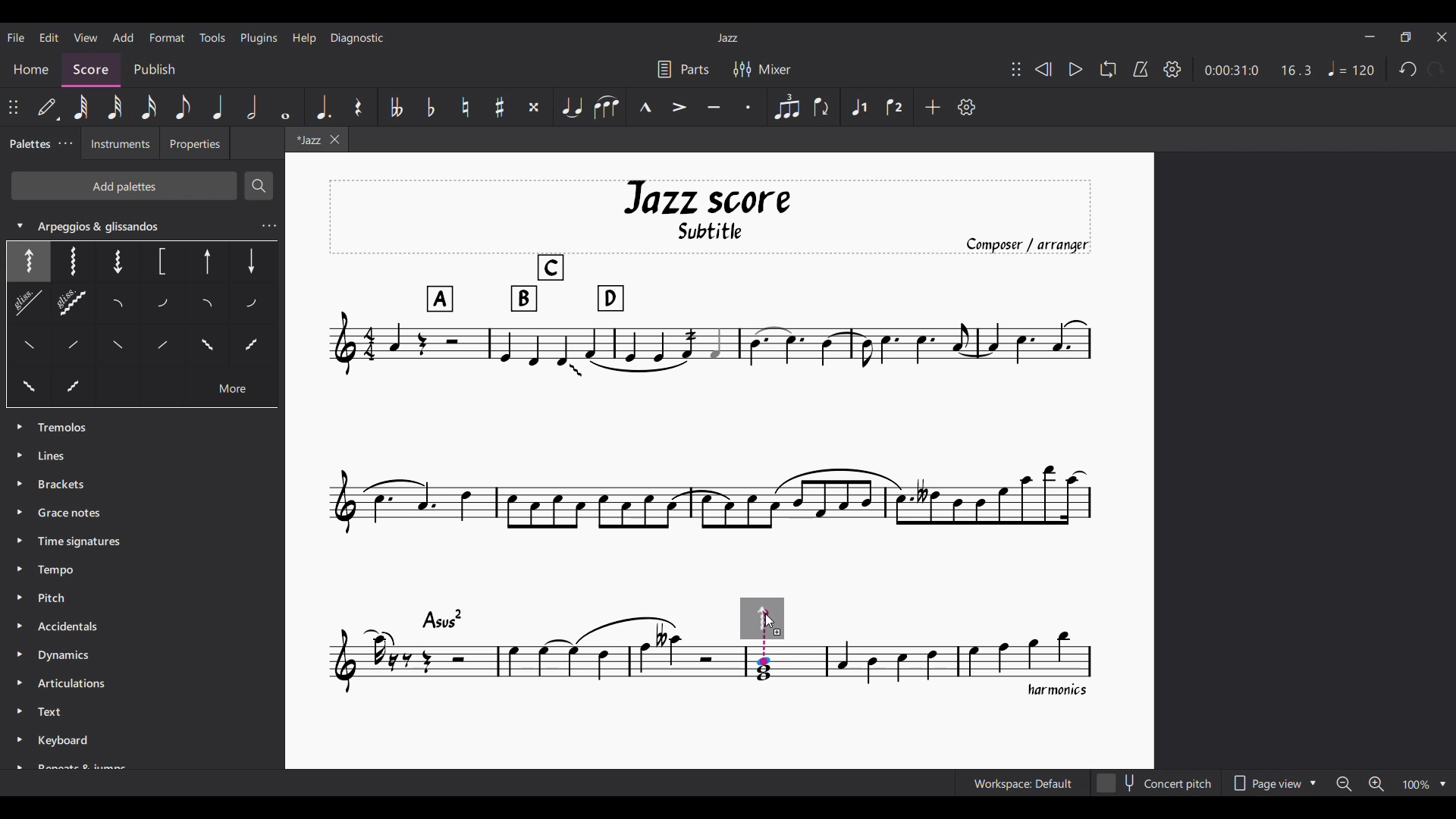  I want to click on Grace Notes, so click(74, 515).